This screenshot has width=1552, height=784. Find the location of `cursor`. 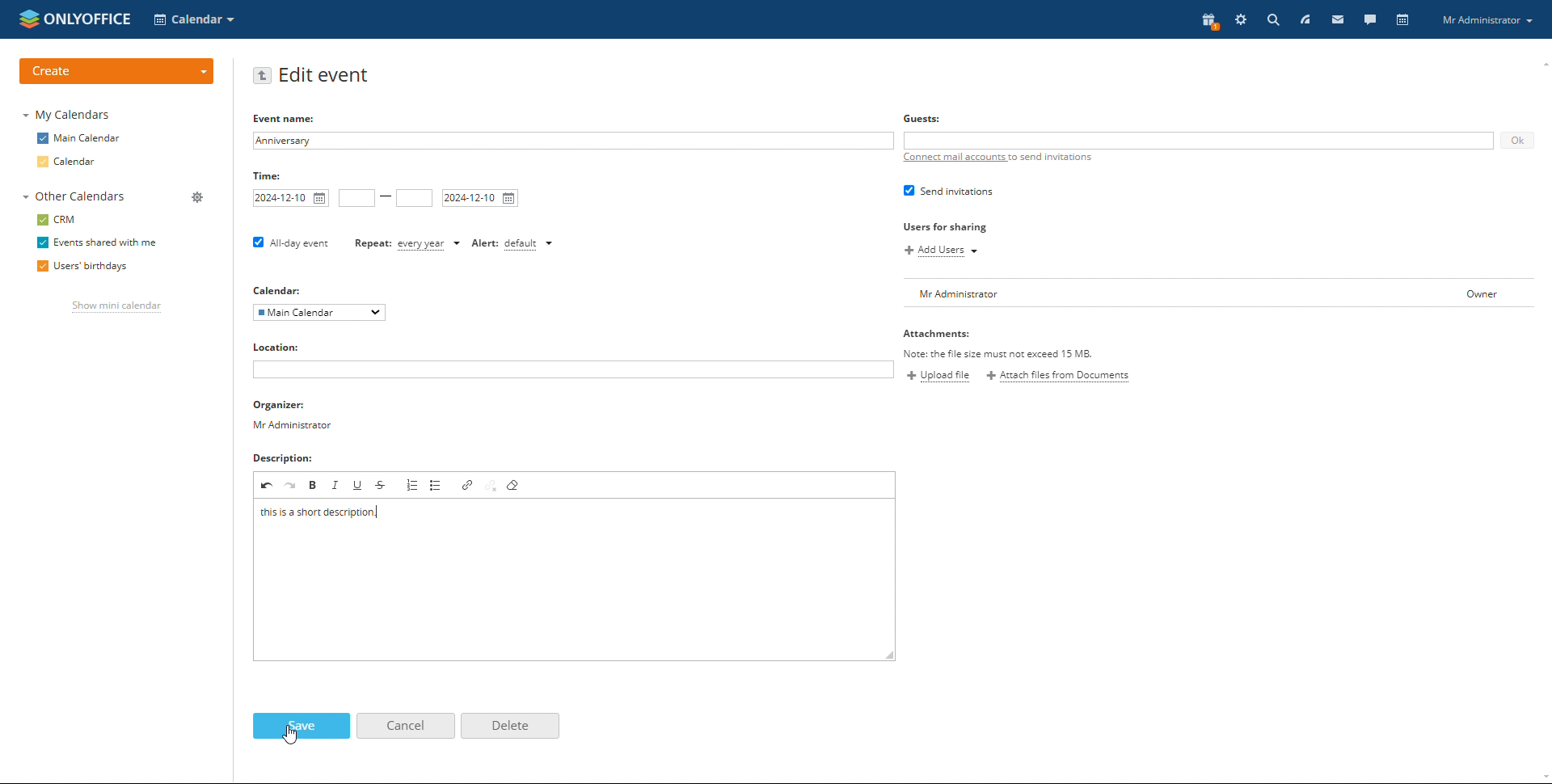

cursor is located at coordinates (293, 736).